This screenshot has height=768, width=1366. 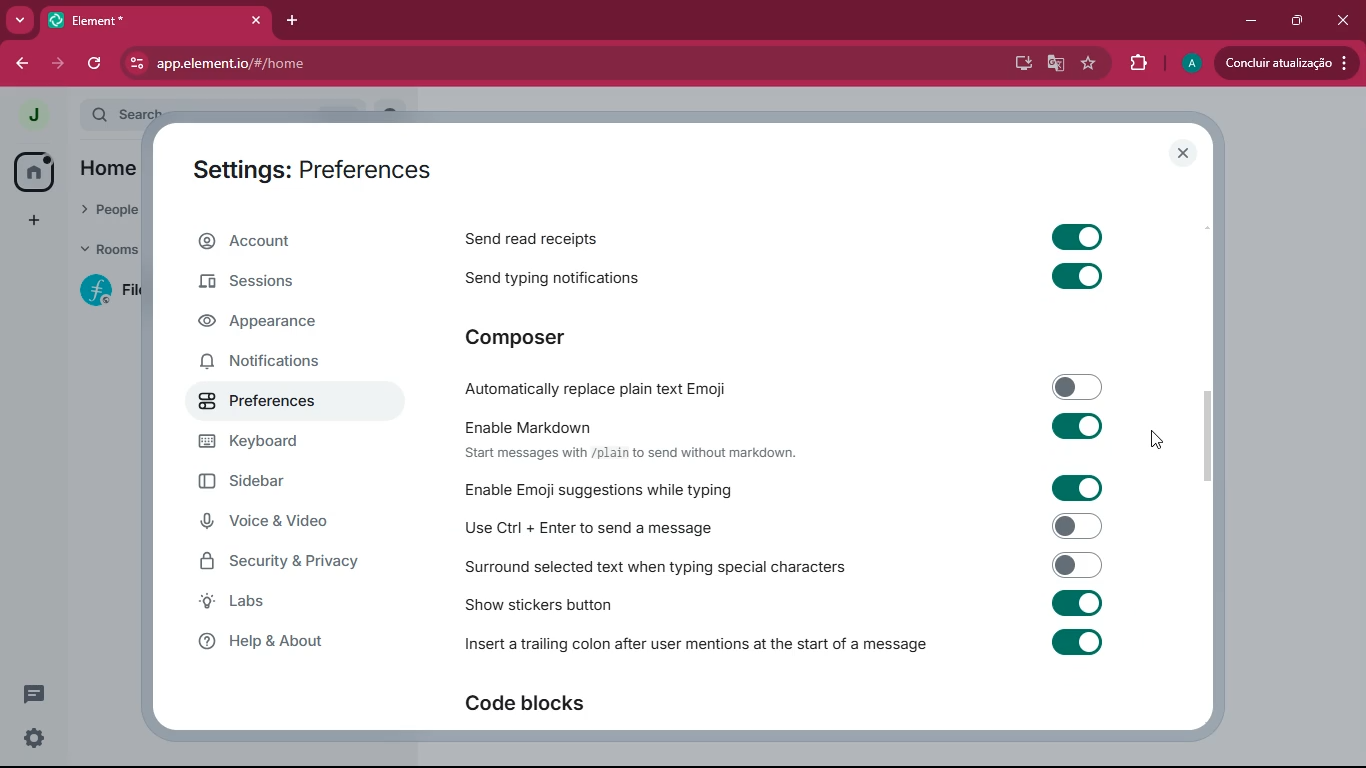 I want to click on add, so click(x=26, y=222).